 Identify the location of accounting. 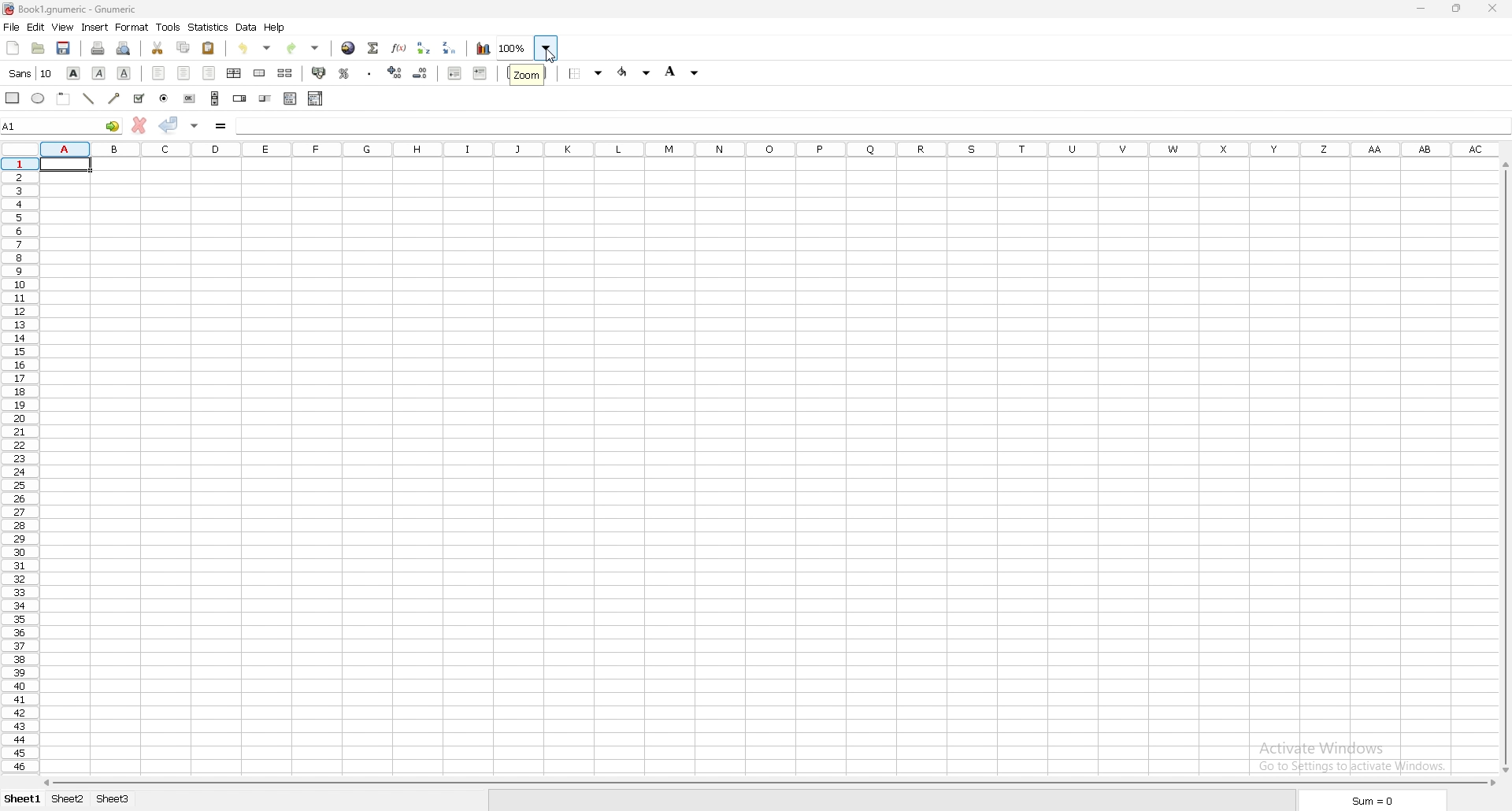
(319, 72).